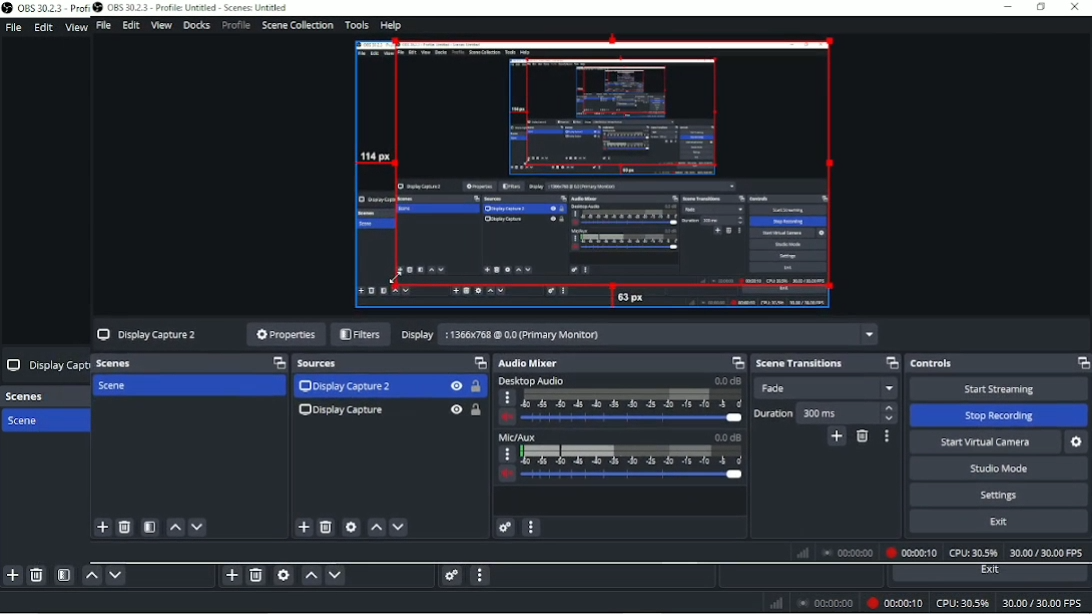 This screenshot has width=1092, height=614. What do you see at coordinates (239, 25) in the screenshot?
I see `Profile` at bounding box center [239, 25].